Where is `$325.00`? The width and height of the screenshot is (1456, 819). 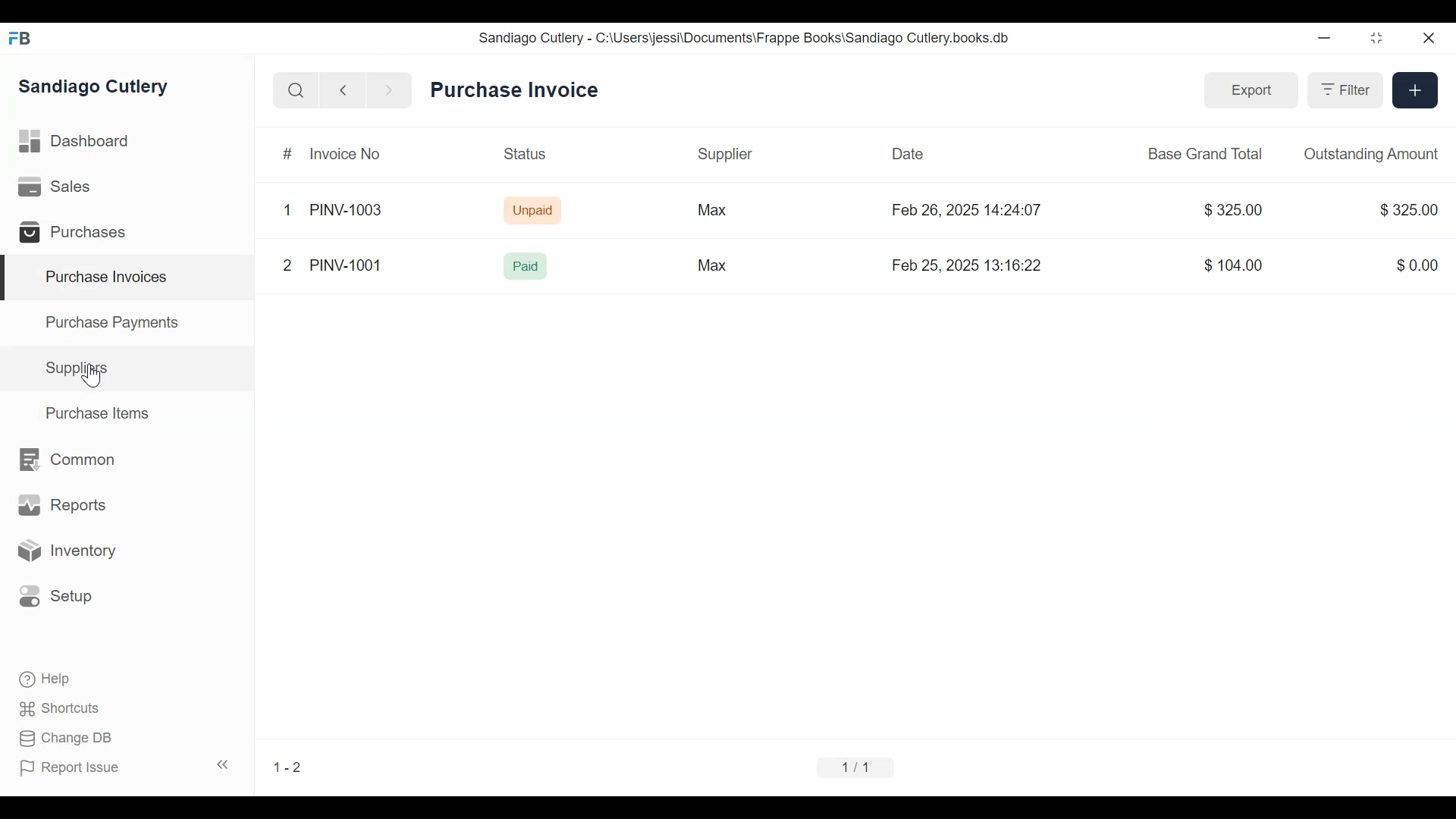
$325.00 is located at coordinates (1237, 209).